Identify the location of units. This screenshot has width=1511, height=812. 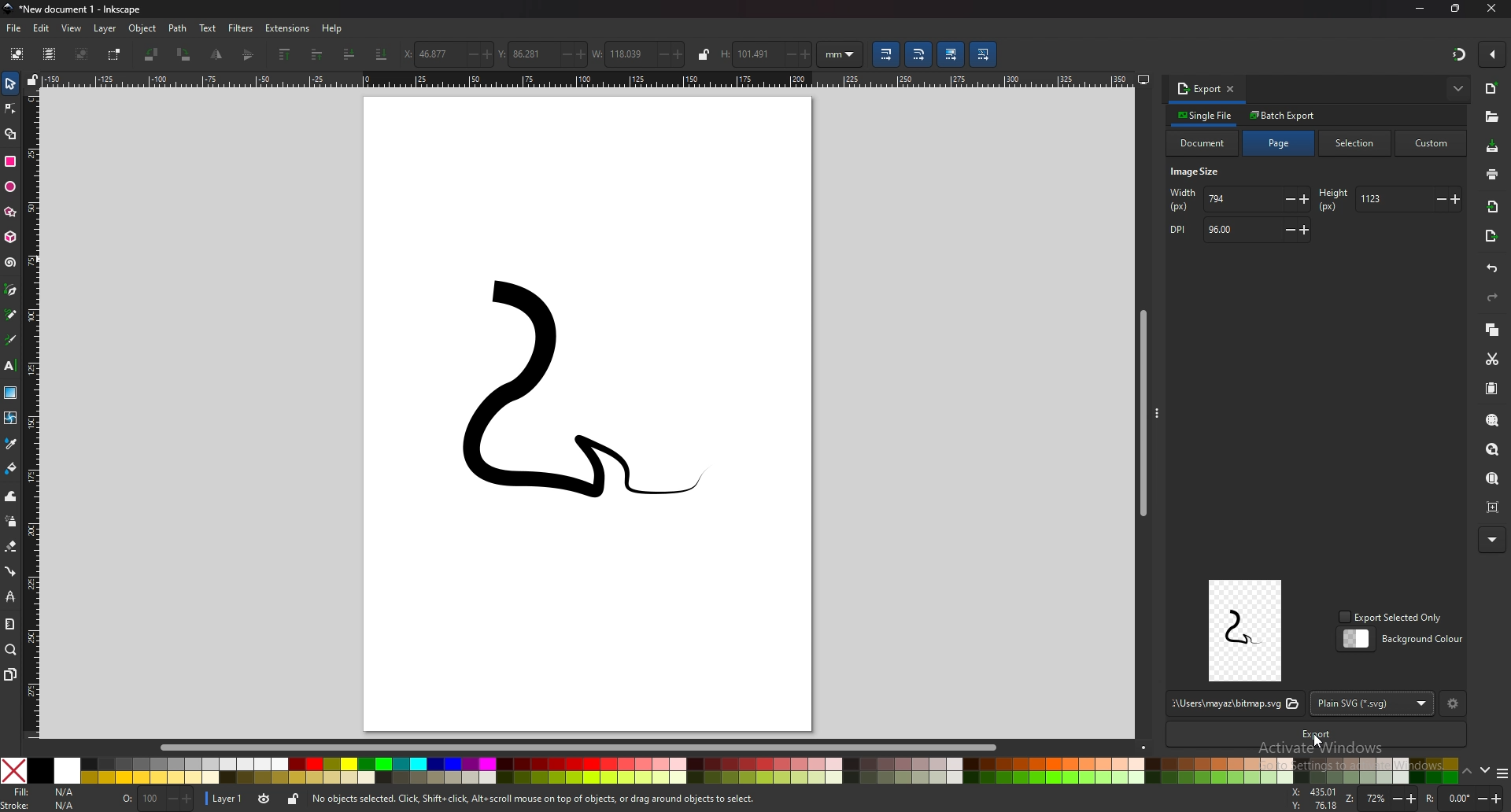
(840, 54).